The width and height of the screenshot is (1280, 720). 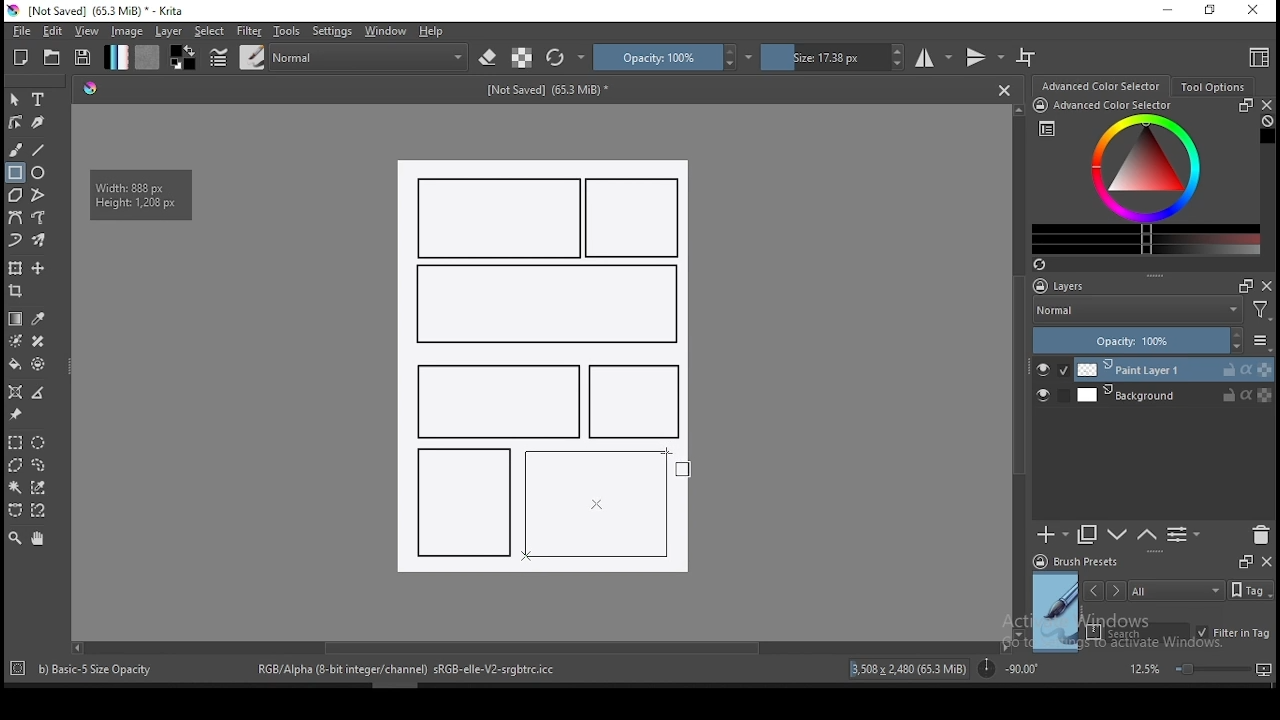 What do you see at coordinates (1214, 87) in the screenshot?
I see `tool options` at bounding box center [1214, 87].